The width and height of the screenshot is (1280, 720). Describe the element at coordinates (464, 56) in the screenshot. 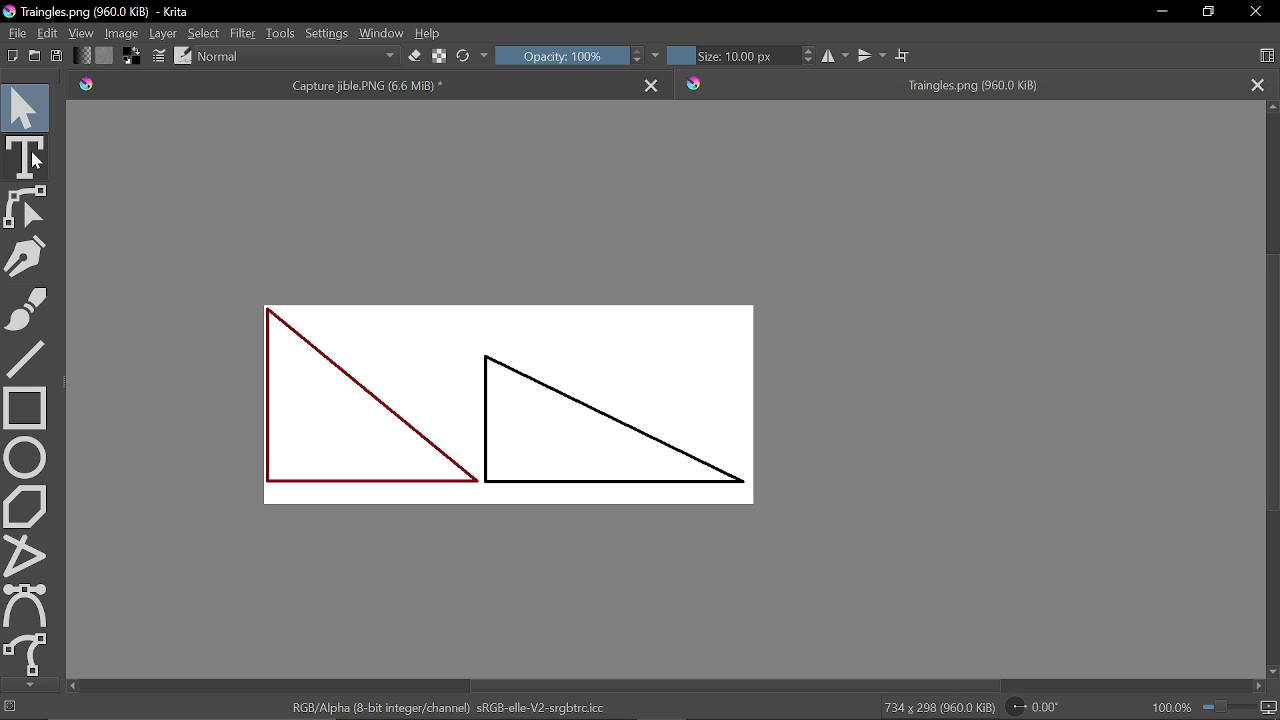

I see `Choose brush preset` at that location.